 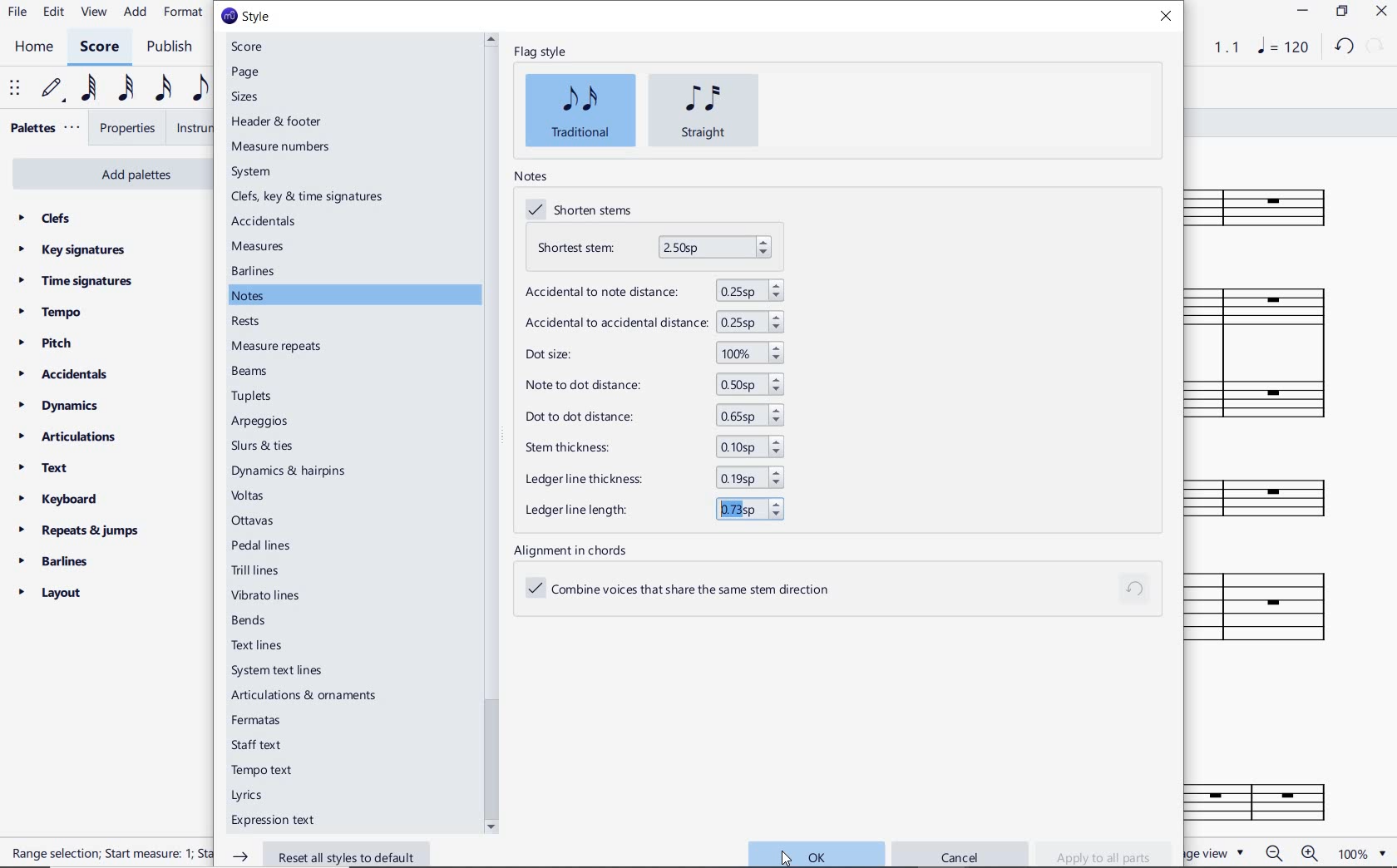 What do you see at coordinates (290, 671) in the screenshot?
I see `system text lines` at bounding box center [290, 671].